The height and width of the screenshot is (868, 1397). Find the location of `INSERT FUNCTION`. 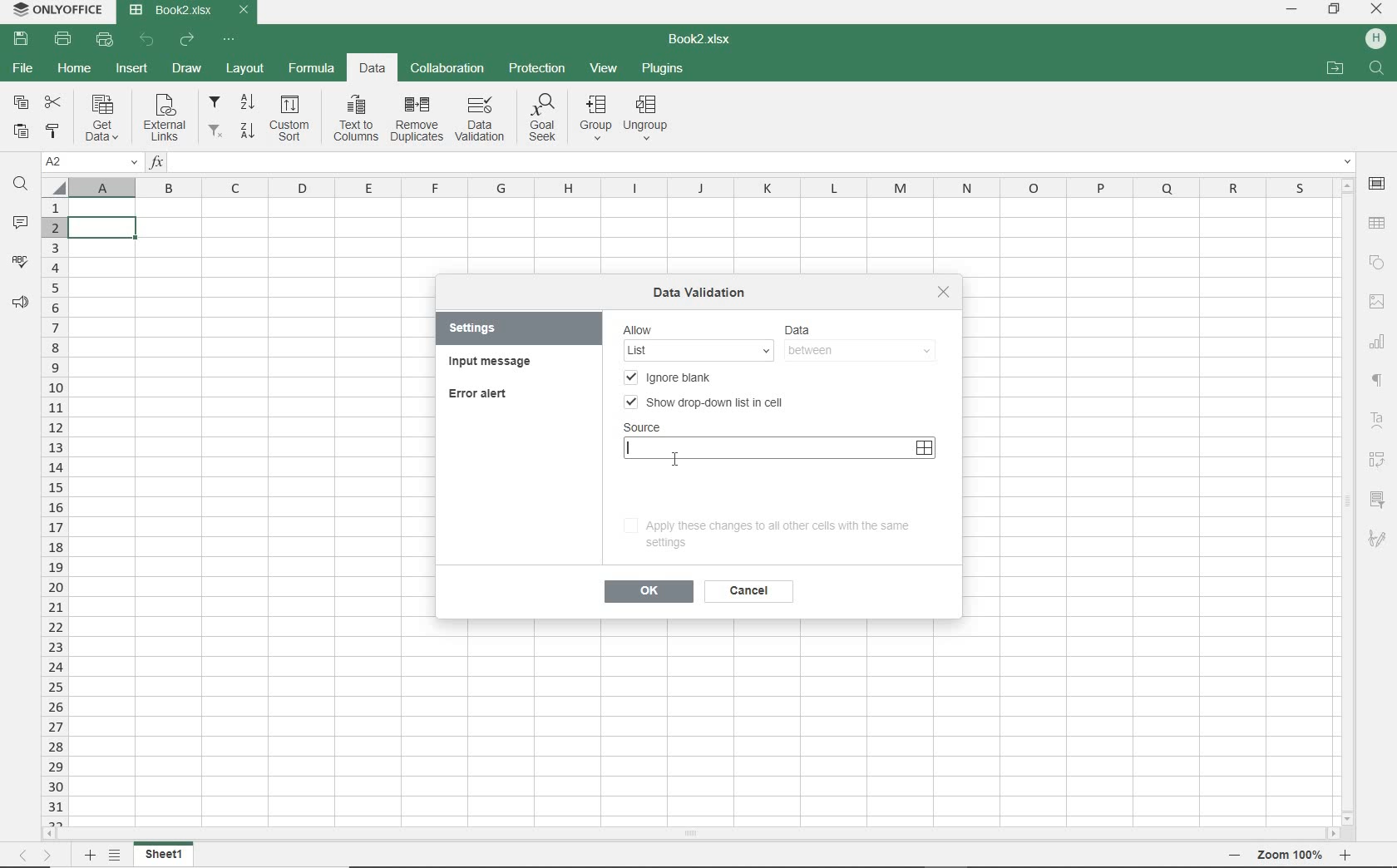

INSERT FUNCTION is located at coordinates (751, 160).